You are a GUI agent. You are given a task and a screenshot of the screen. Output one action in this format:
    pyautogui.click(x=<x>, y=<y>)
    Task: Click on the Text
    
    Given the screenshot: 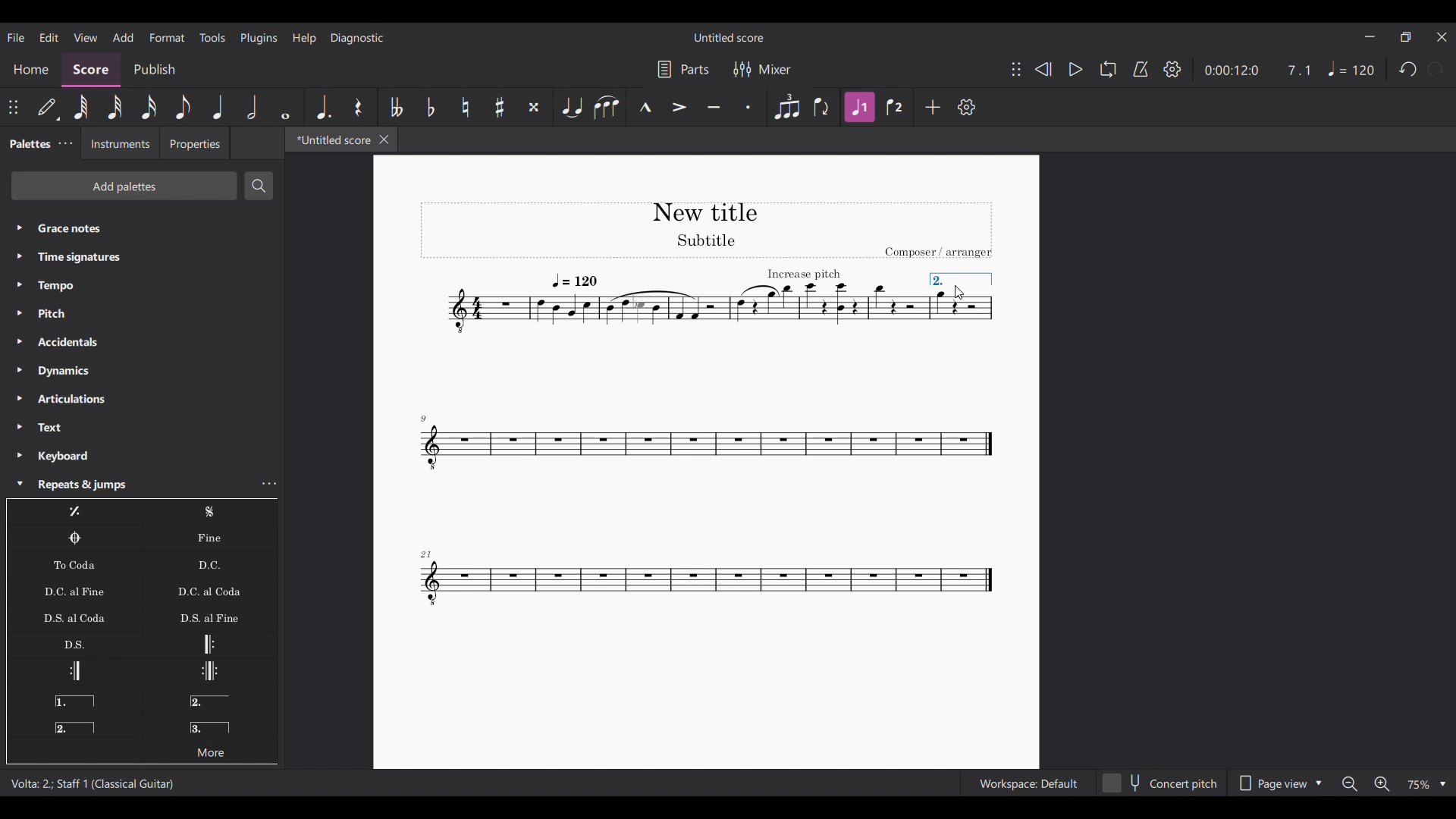 What is the action you would take?
    pyautogui.click(x=143, y=428)
    